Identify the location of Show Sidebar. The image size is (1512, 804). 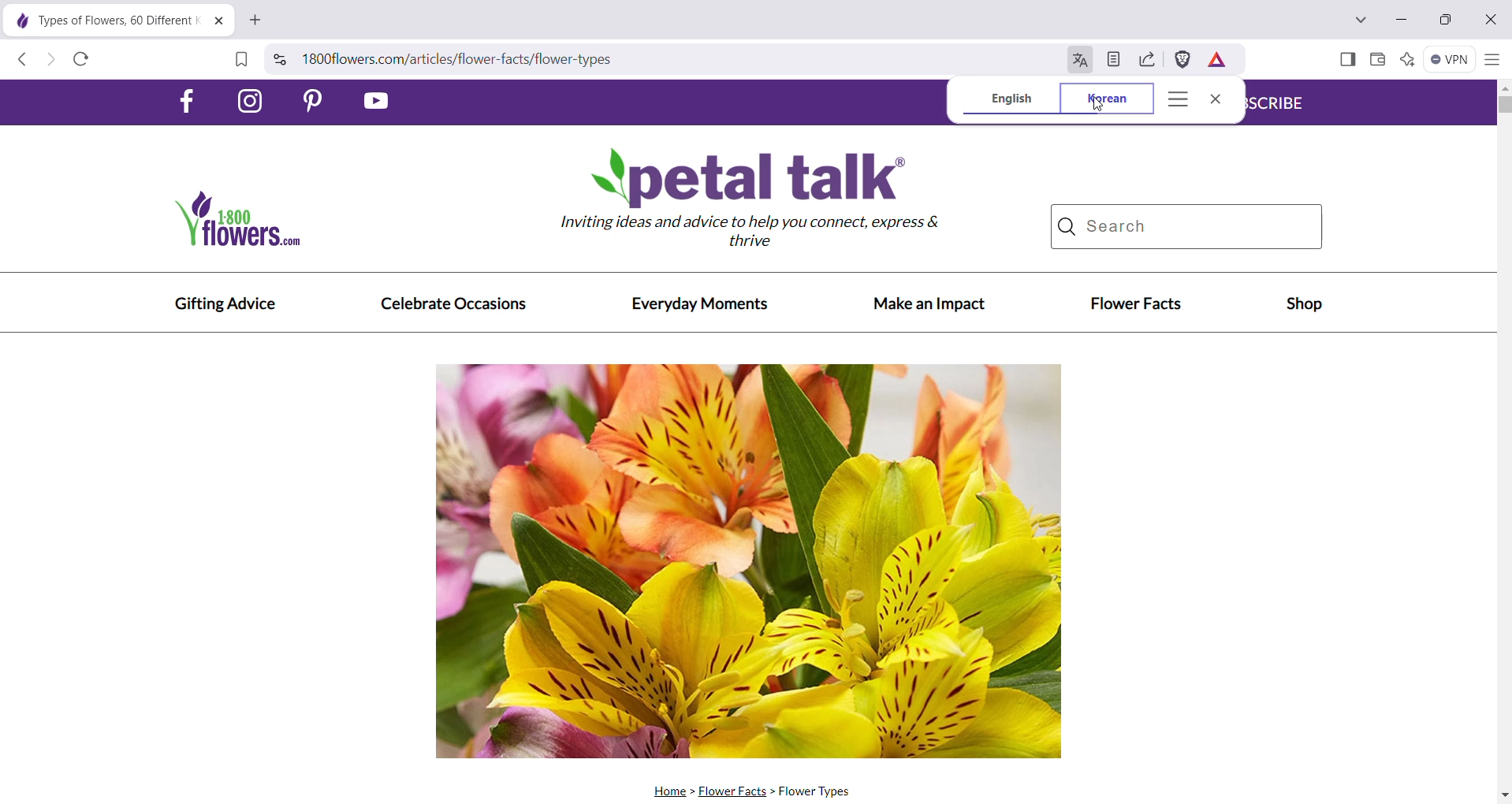
(1347, 60).